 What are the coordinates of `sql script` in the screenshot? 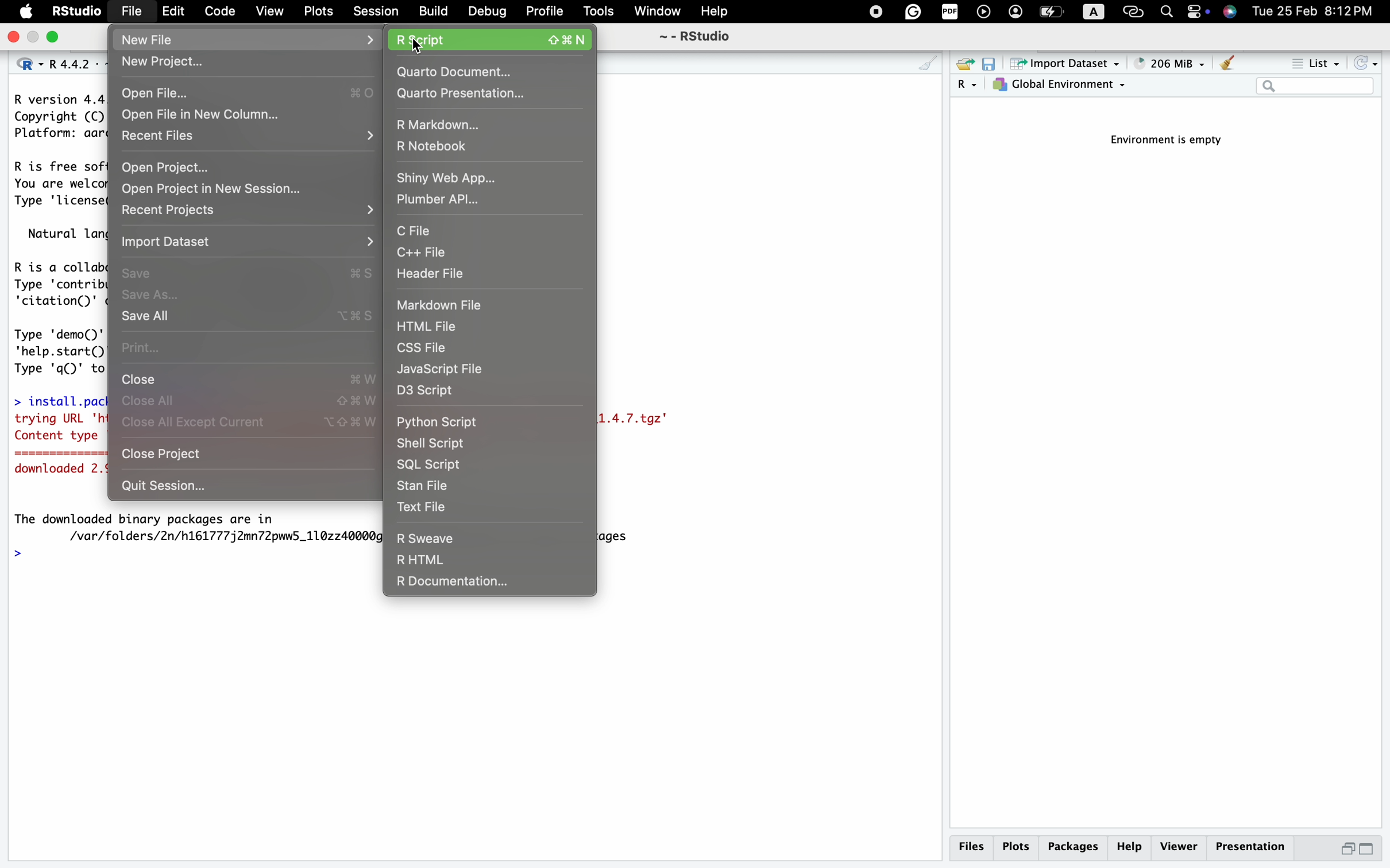 It's located at (464, 466).